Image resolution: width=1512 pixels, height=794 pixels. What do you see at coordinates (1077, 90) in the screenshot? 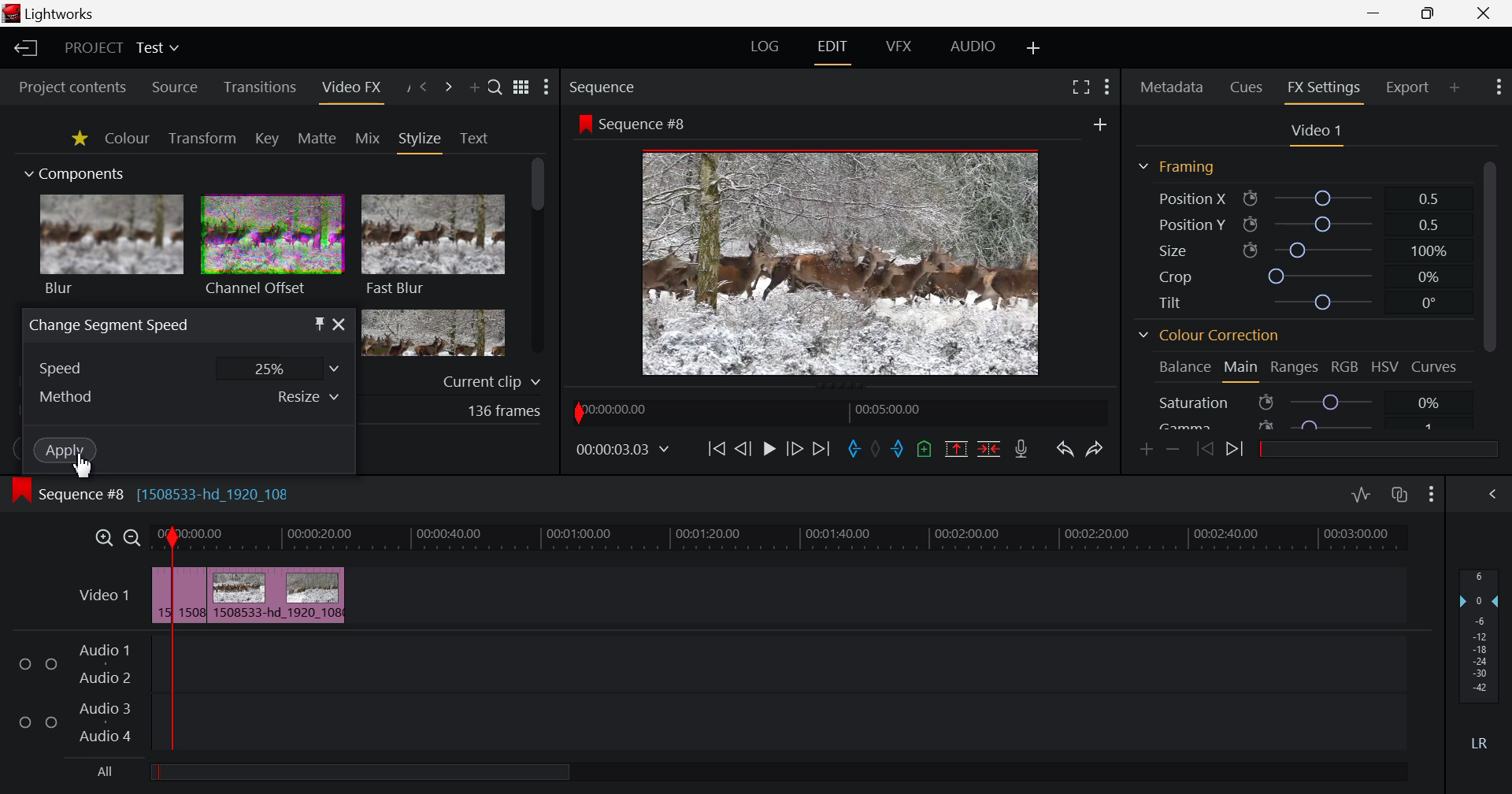
I see `Full Screen` at bounding box center [1077, 90].